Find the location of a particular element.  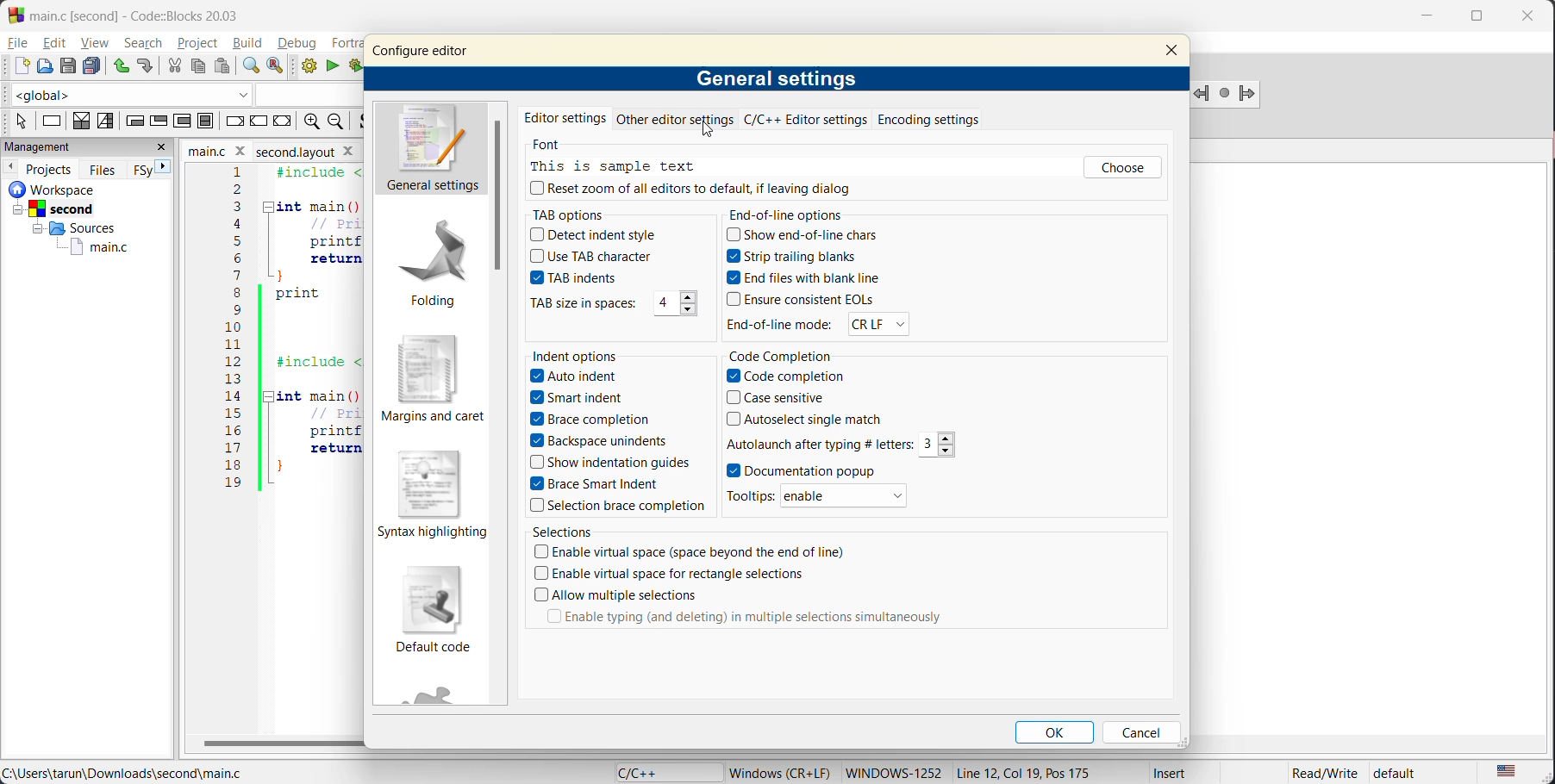

view is located at coordinates (97, 42).